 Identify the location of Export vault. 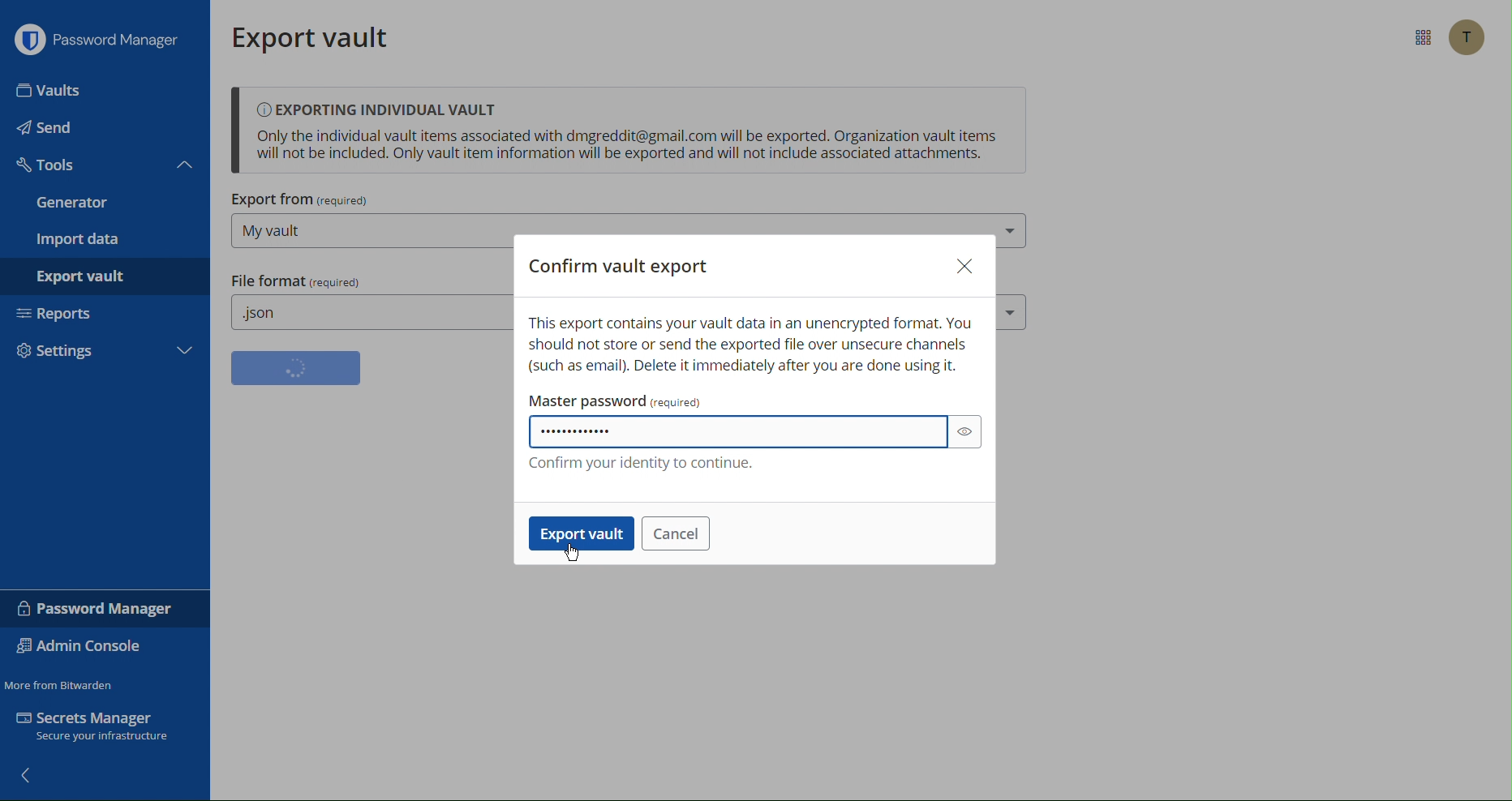
(314, 36).